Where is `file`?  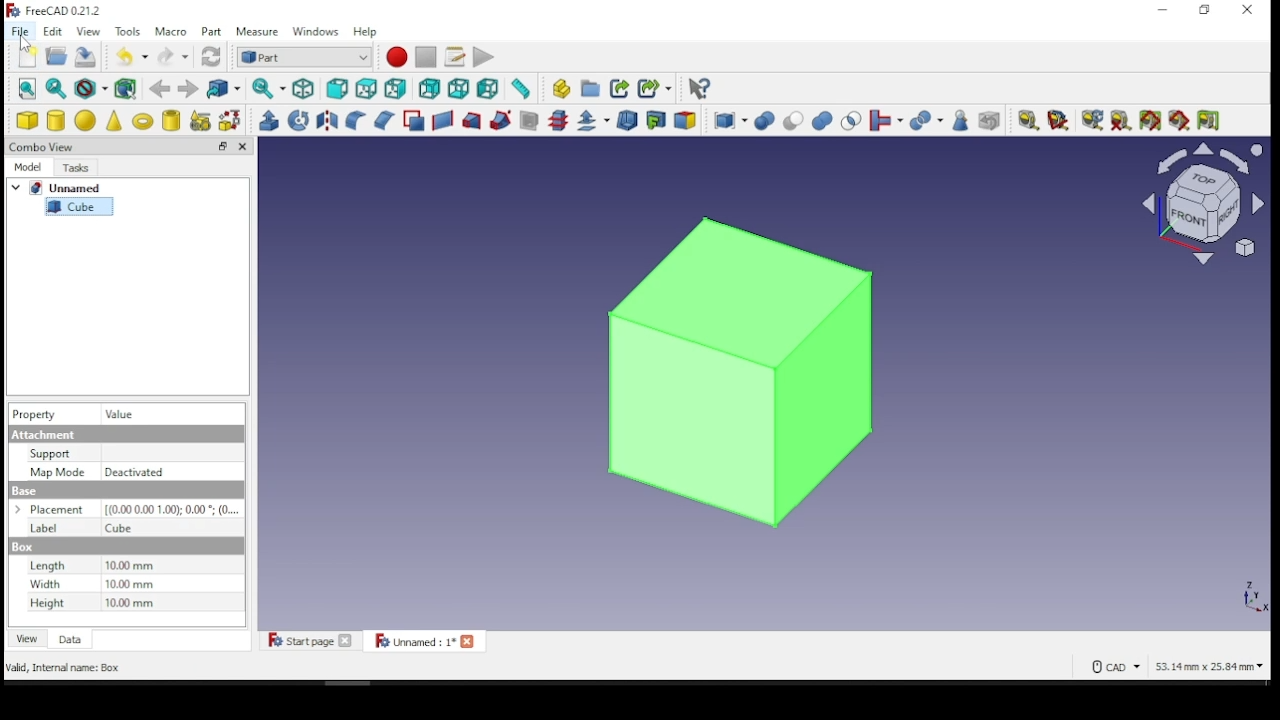
file is located at coordinates (21, 31).